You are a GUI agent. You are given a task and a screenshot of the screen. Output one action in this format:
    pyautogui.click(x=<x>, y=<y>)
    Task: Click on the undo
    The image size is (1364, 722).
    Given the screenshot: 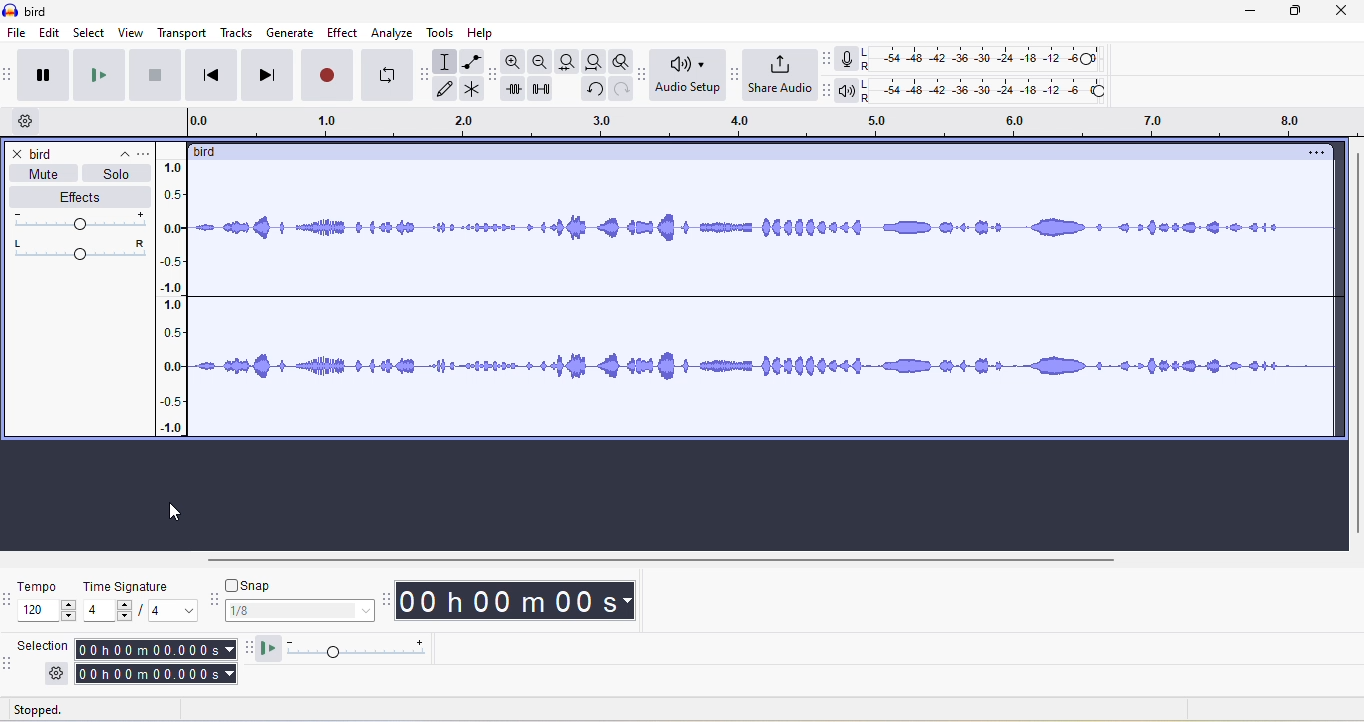 What is the action you would take?
    pyautogui.click(x=592, y=93)
    